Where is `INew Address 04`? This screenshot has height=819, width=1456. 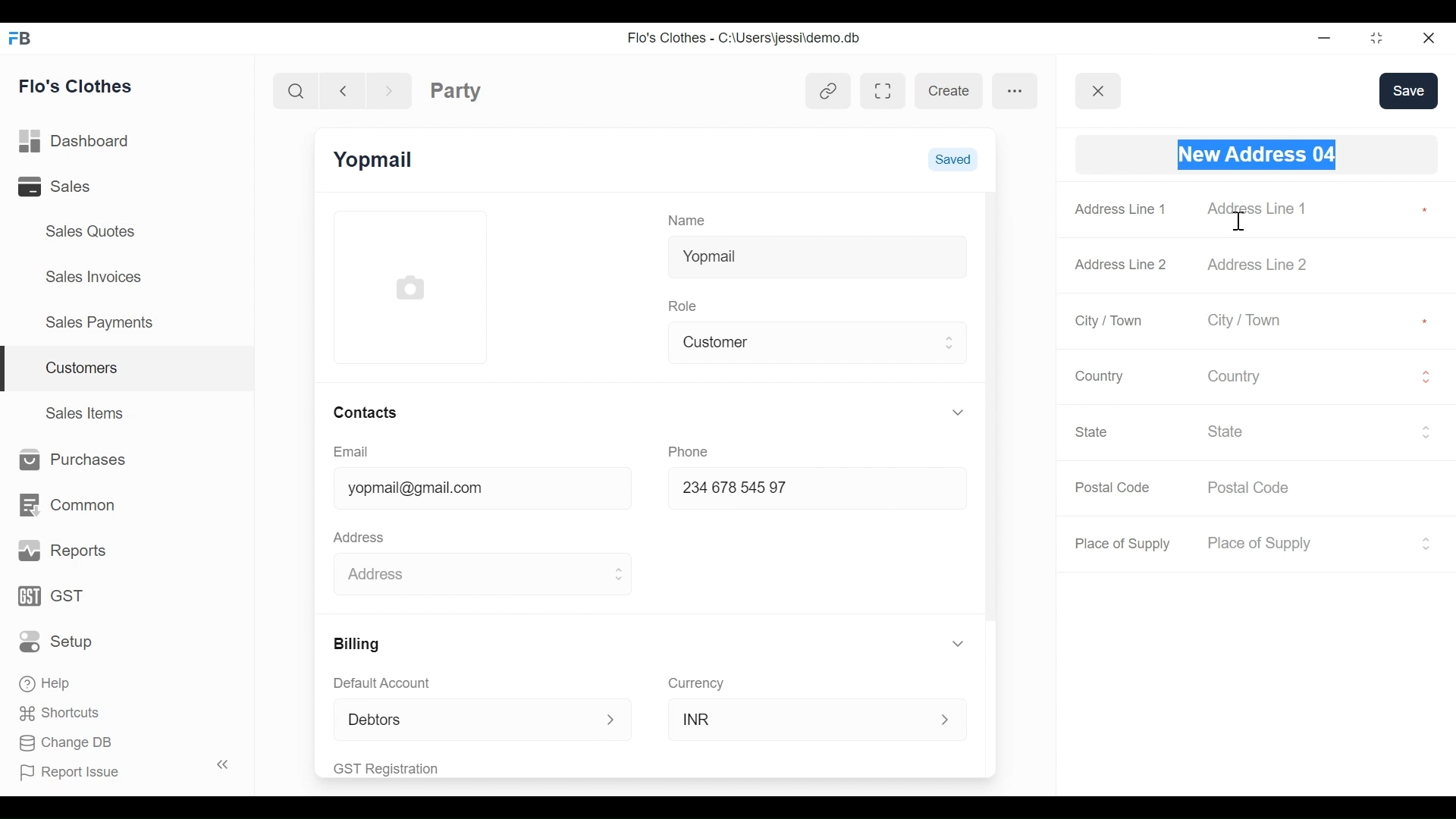
INew Address 04 is located at coordinates (1256, 155).